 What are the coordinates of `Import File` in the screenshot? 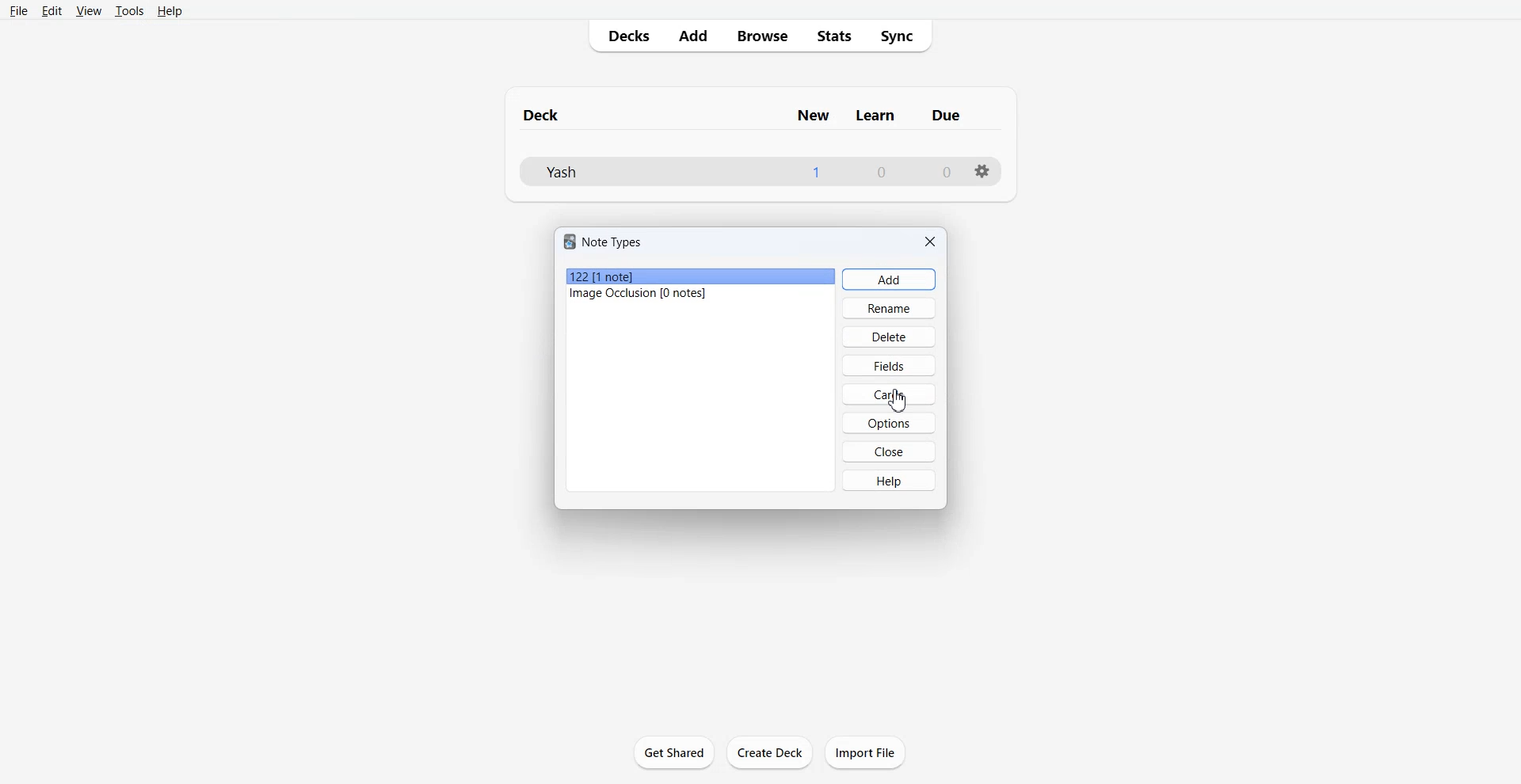 It's located at (865, 752).